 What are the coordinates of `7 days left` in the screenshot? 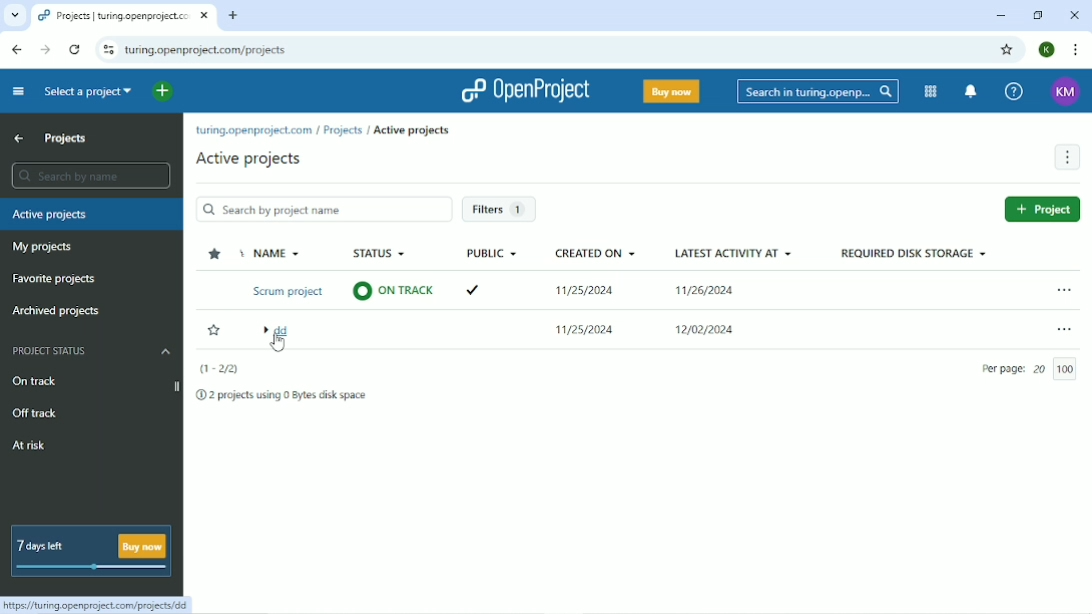 It's located at (89, 552).